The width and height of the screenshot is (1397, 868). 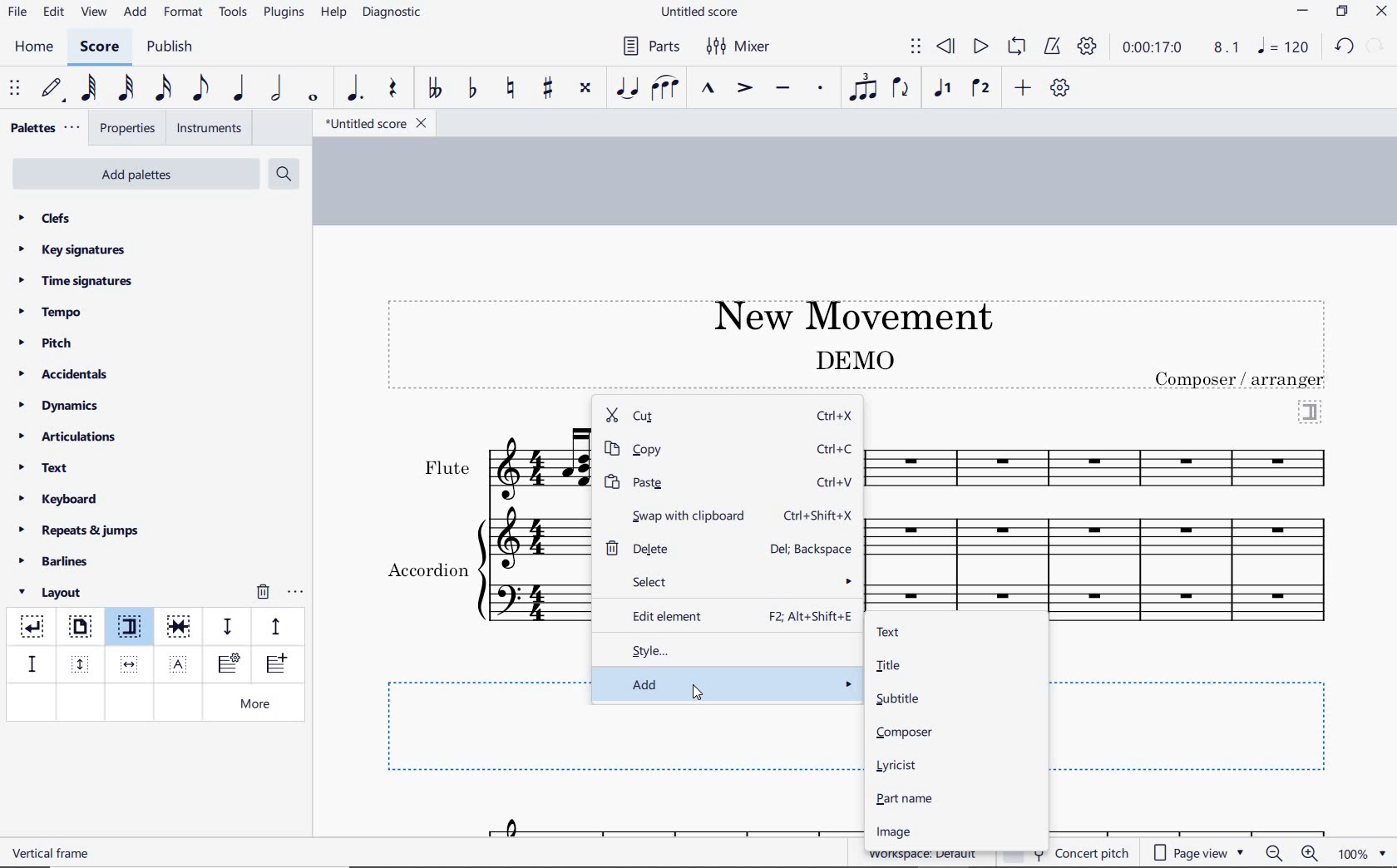 What do you see at coordinates (79, 629) in the screenshot?
I see `page break` at bounding box center [79, 629].